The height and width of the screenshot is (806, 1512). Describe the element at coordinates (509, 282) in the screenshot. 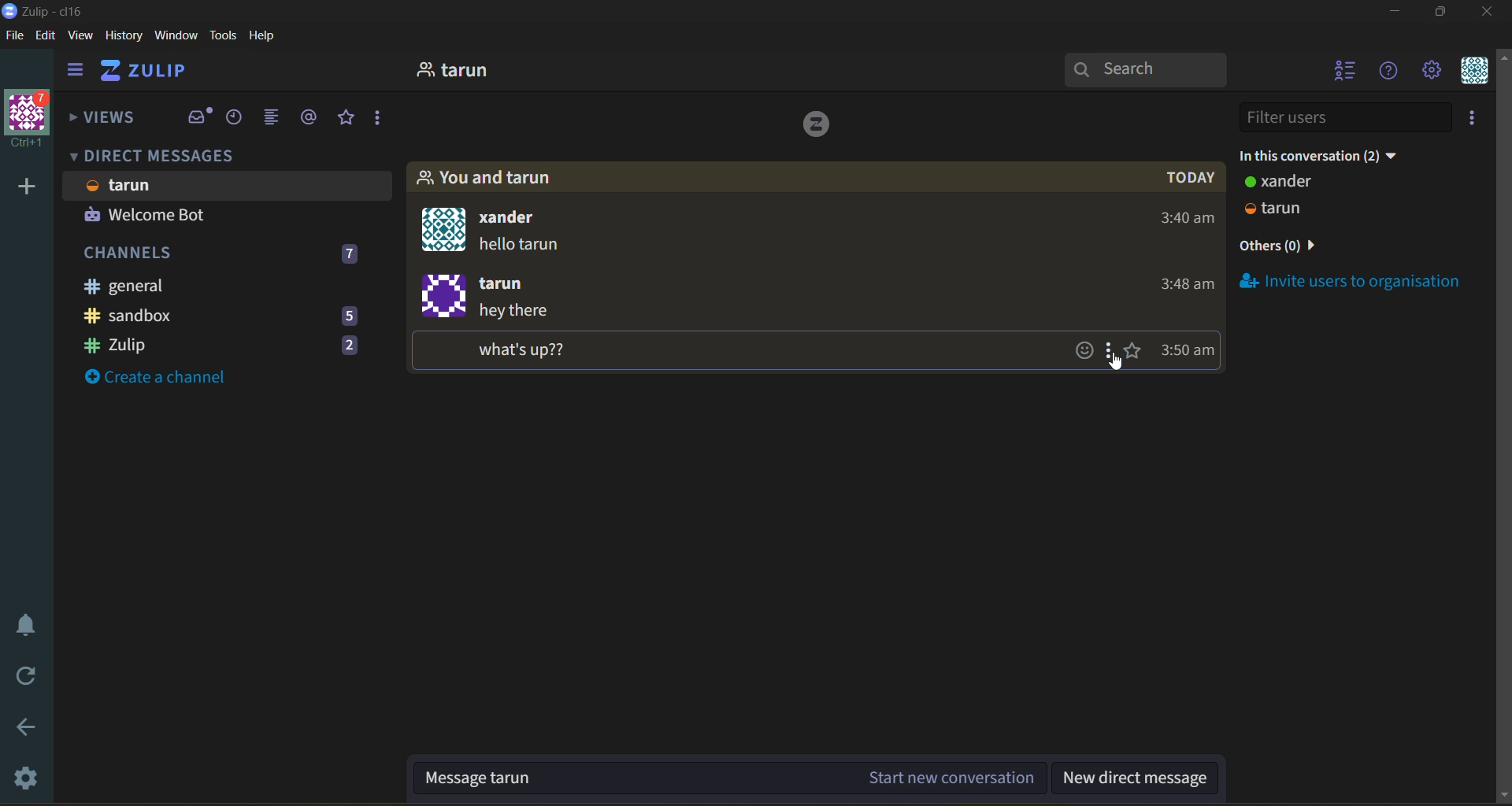

I see `user name` at that location.